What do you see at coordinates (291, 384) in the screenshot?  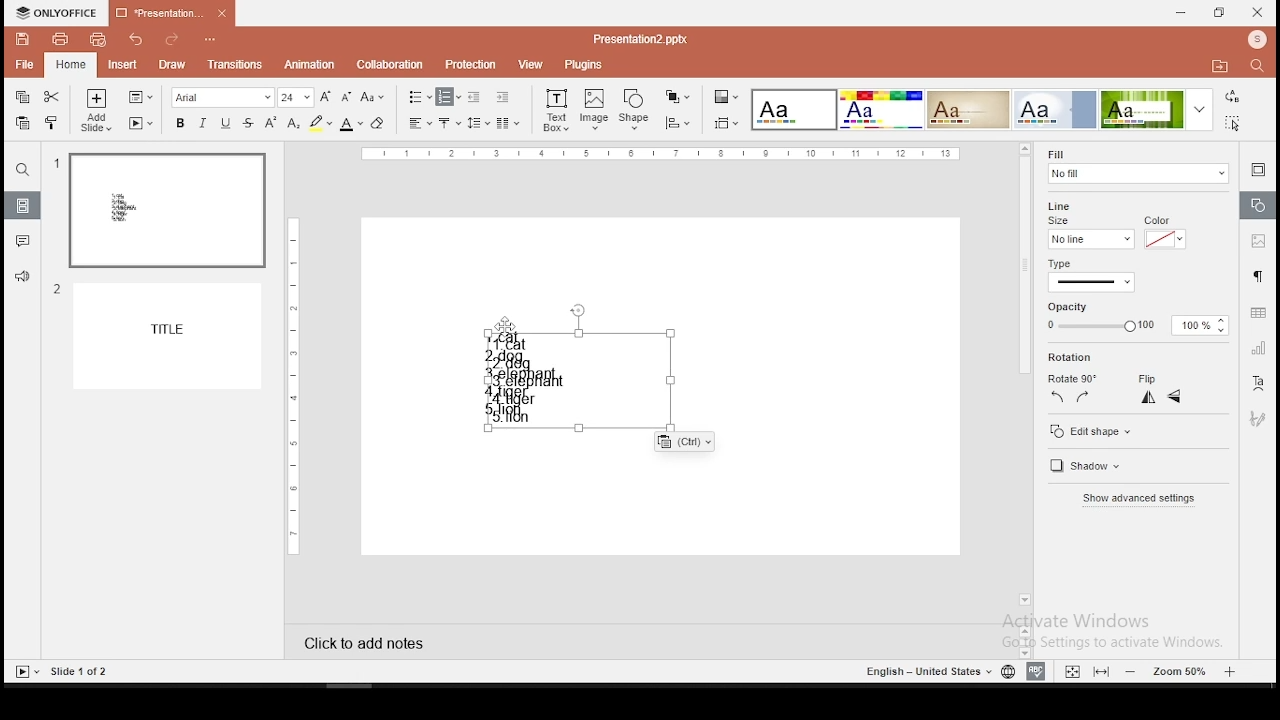 I see `scale` at bounding box center [291, 384].